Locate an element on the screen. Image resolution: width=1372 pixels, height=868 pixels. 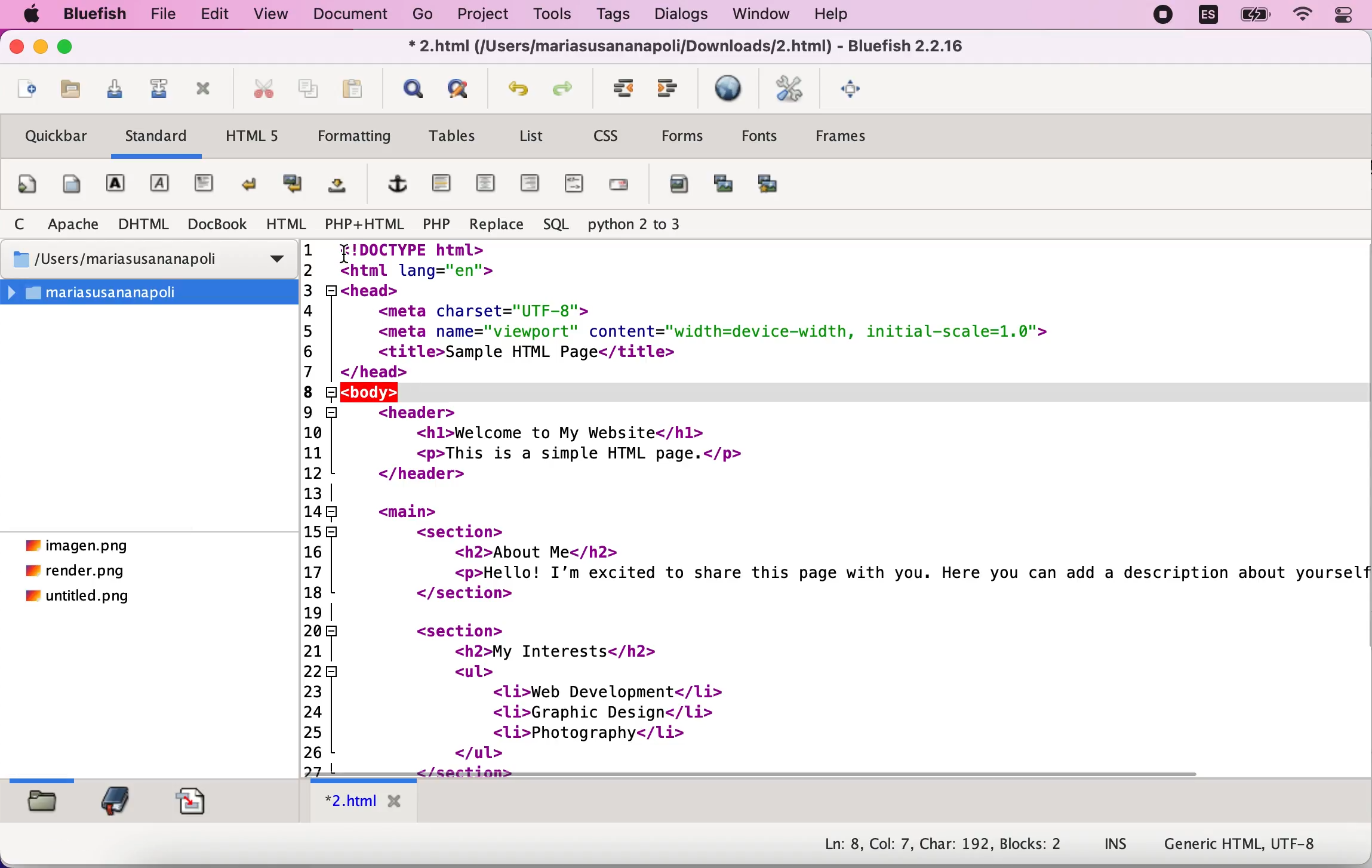
help is located at coordinates (839, 14).